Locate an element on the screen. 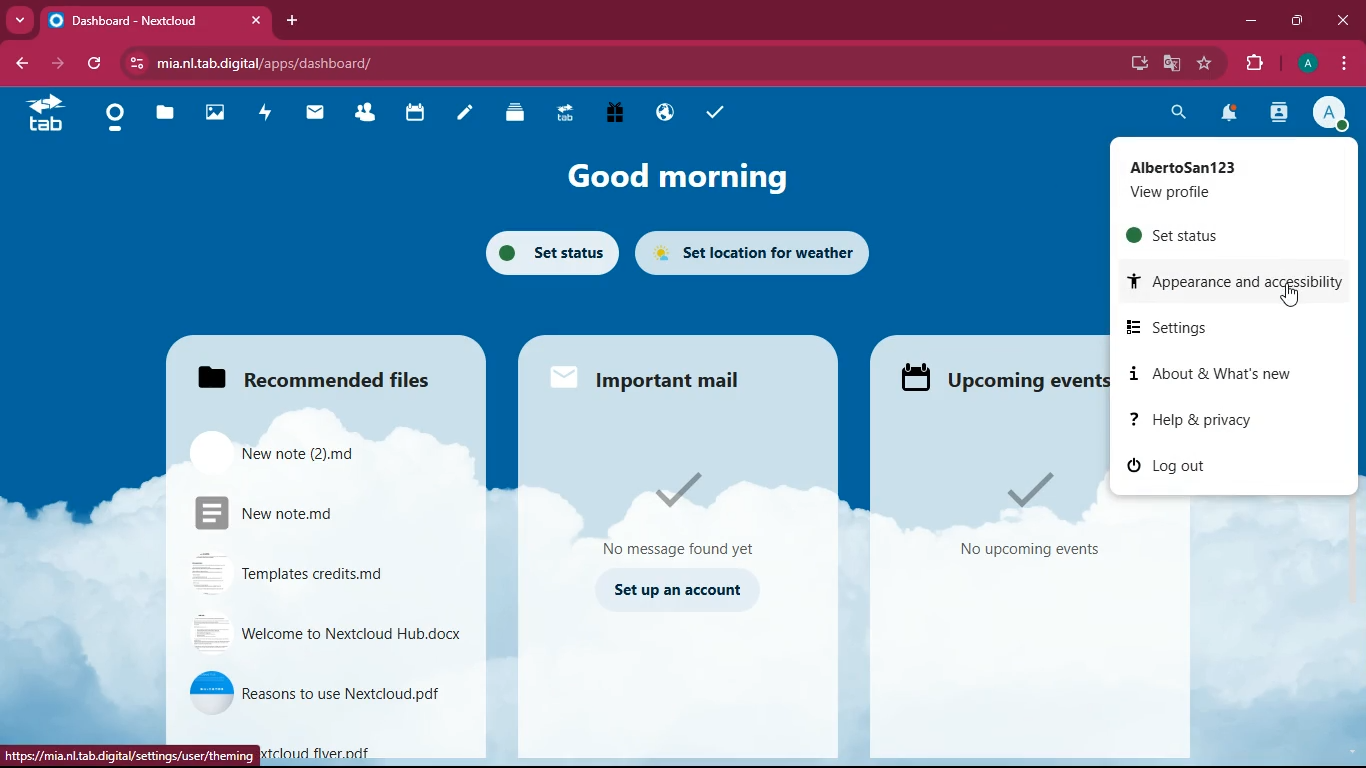 This screenshot has width=1366, height=768. menu is located at coordinates (1340, 64).